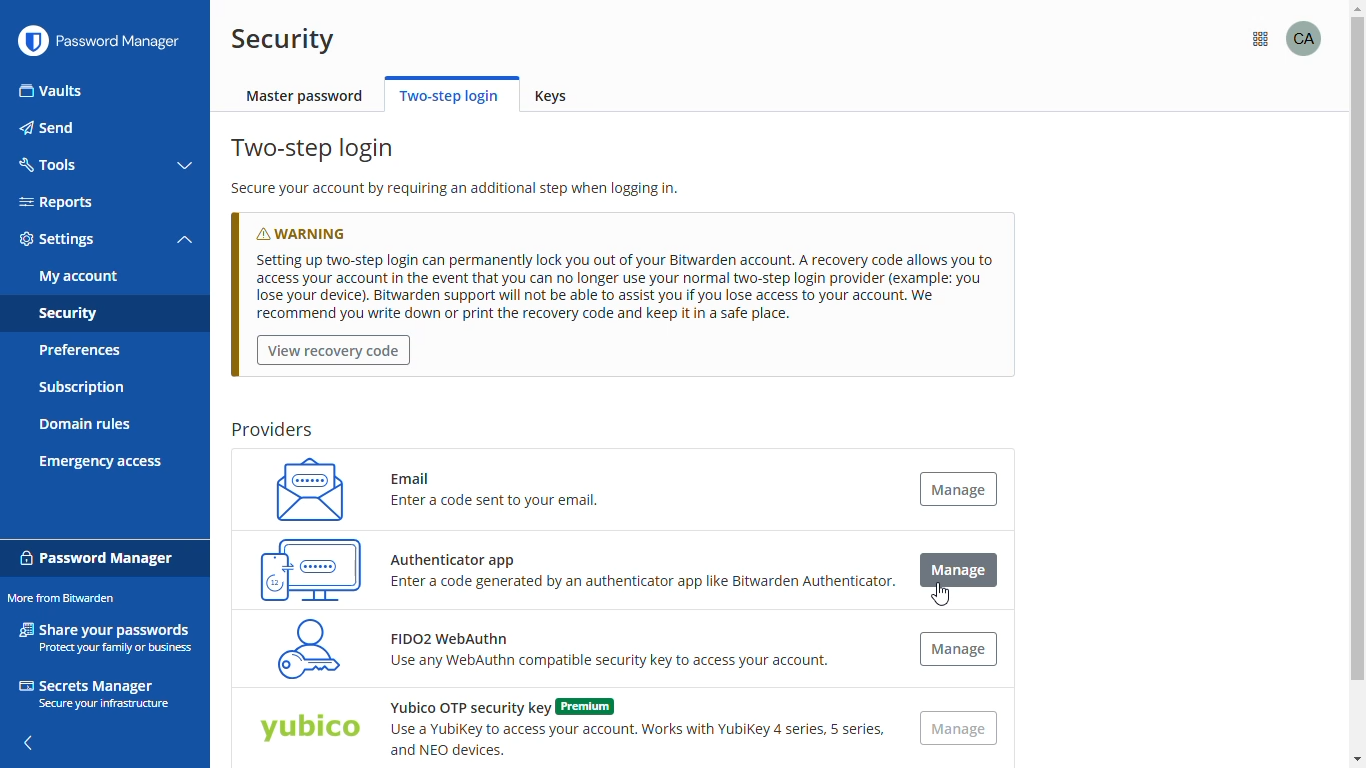 Image resolution: width=1366 pixels, height=768 pixels. I want to click on more from bitwarden, so click(60, 598).